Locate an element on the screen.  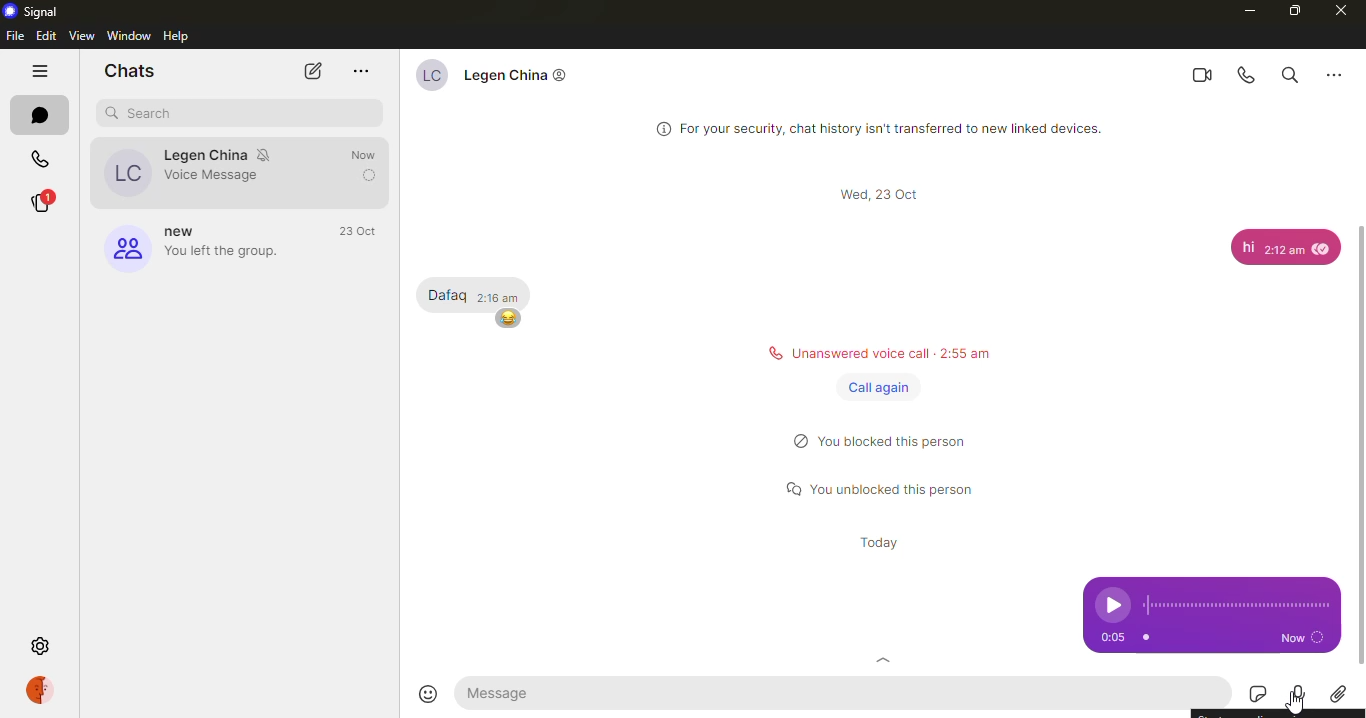
message is located at coordinates (1286, 247).